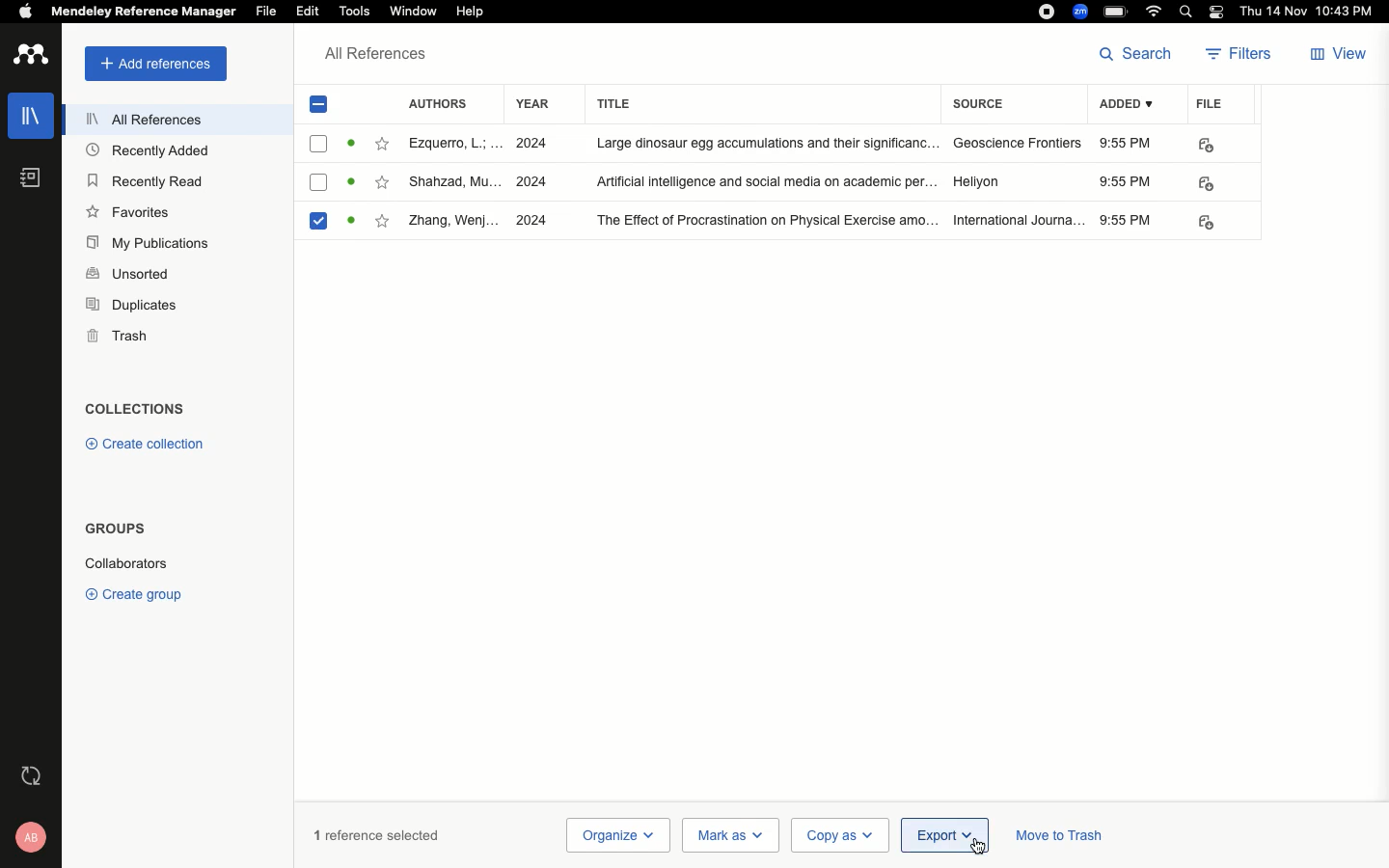 The width and height of the screenshot is (1389, 868). I want to click on Remove selection, so click(321, 108).